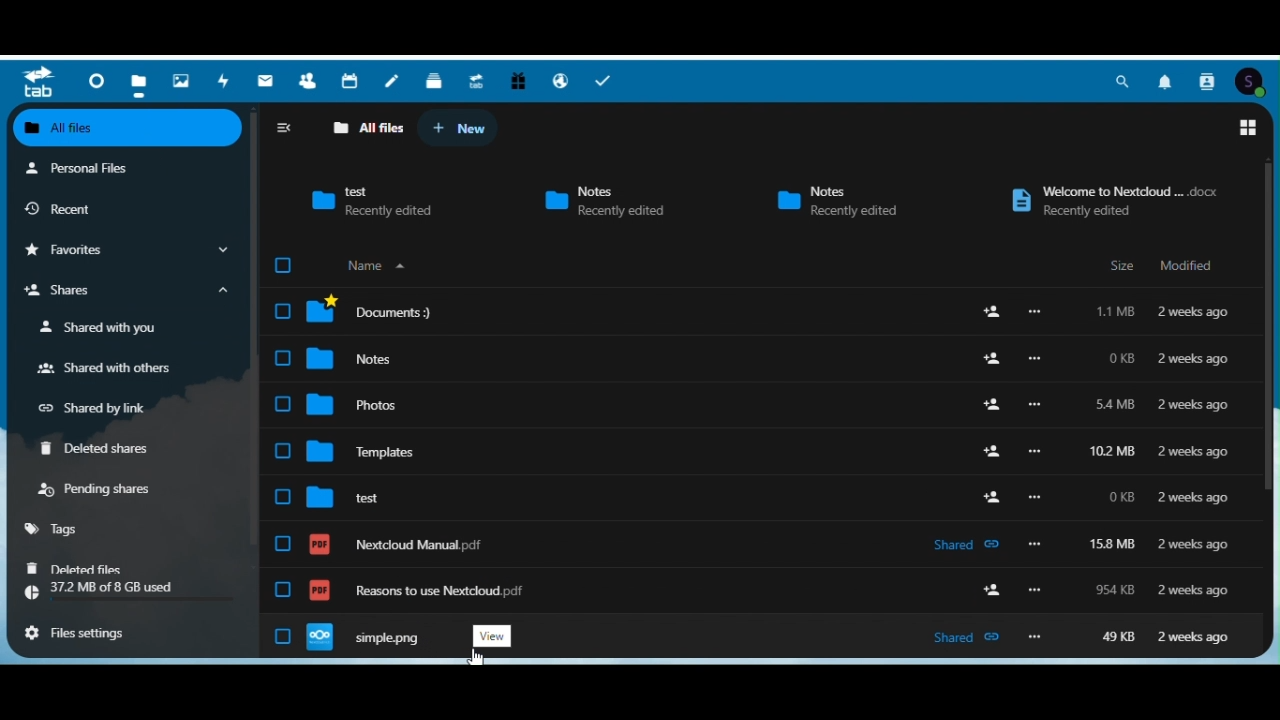 This screenshot has width=1280, height=720. Describe the element at coordinates (182, 77) in the screenshot. I see `Photos` at that location.